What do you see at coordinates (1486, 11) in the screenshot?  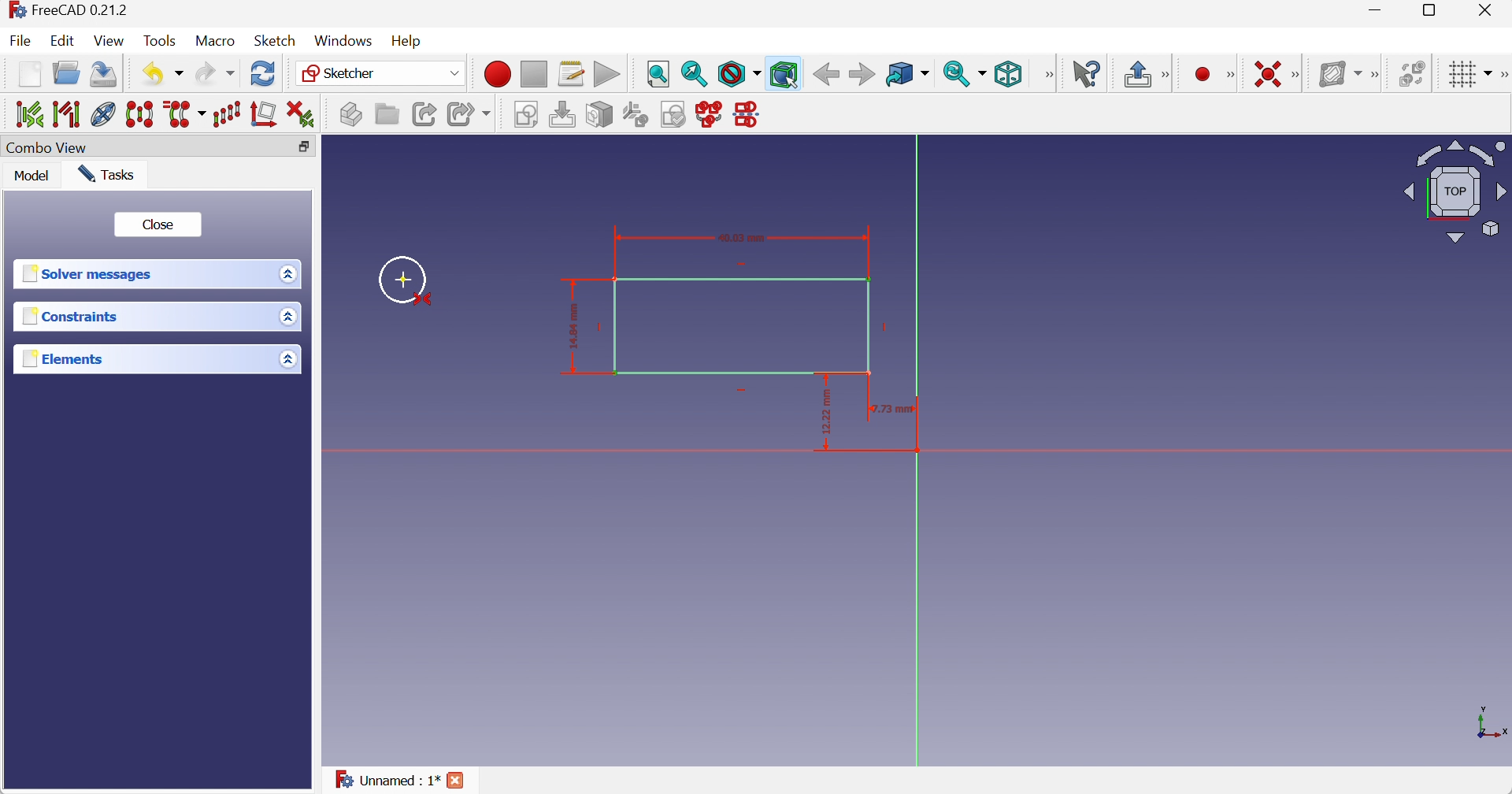 I see `Close` at bounding box center [1486, 11].